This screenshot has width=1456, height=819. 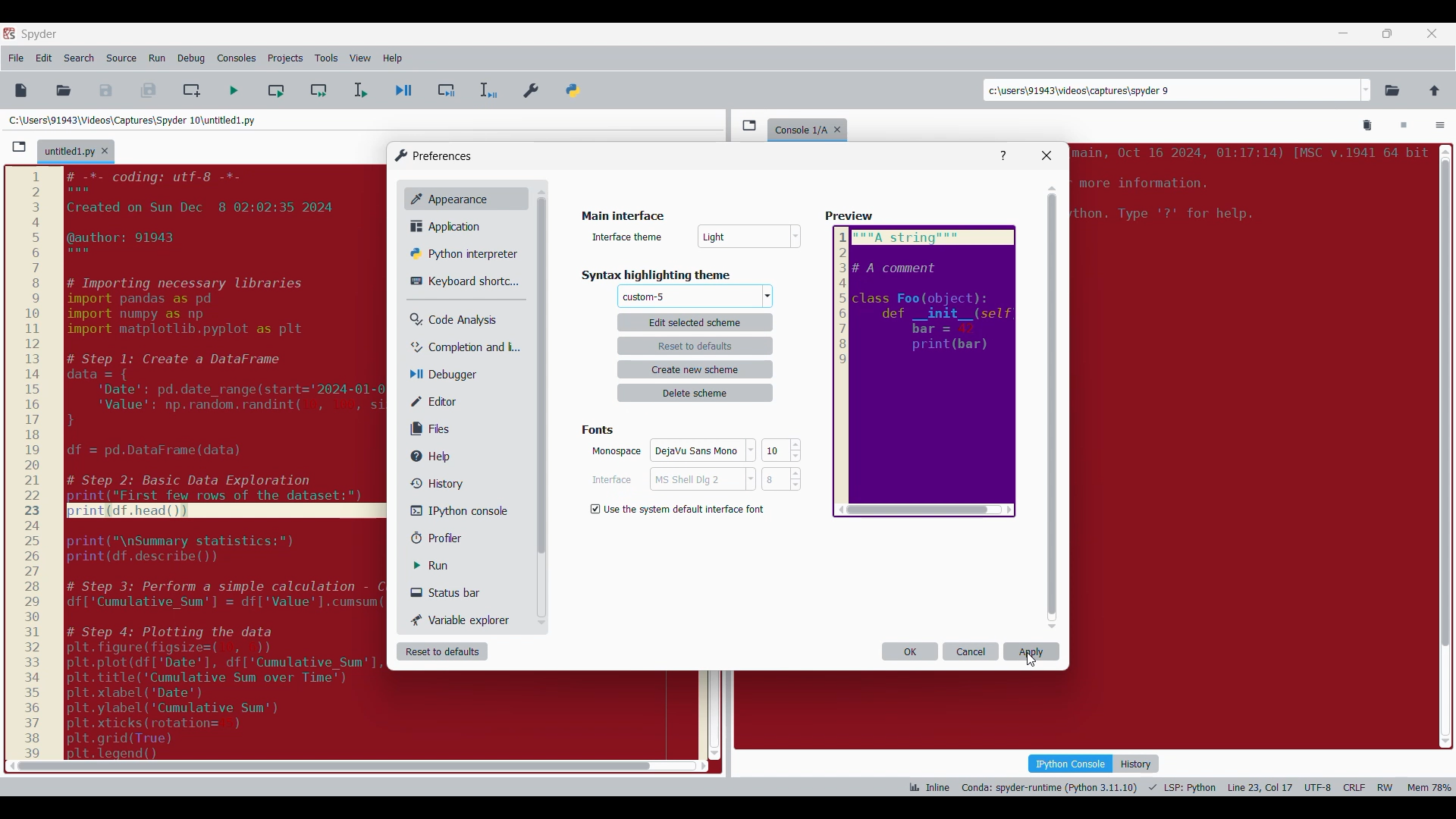 What do you see at coordinates (80, 58) in the screenshot?
I see `Search menu` at bounding box center [80, 58].